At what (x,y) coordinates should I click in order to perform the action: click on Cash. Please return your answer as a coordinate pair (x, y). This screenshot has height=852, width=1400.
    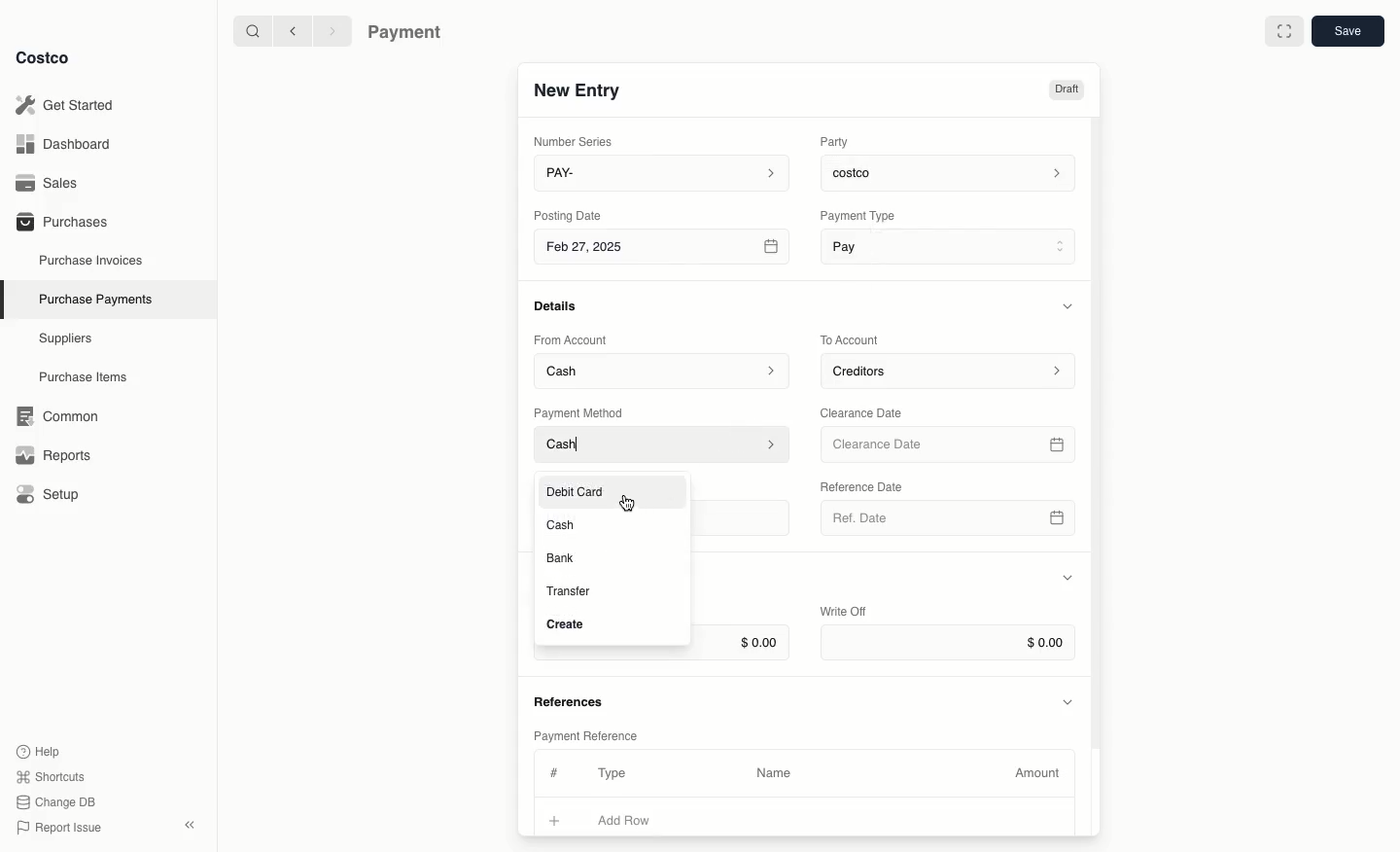
    Looking at the image, I should click on (563, 524).